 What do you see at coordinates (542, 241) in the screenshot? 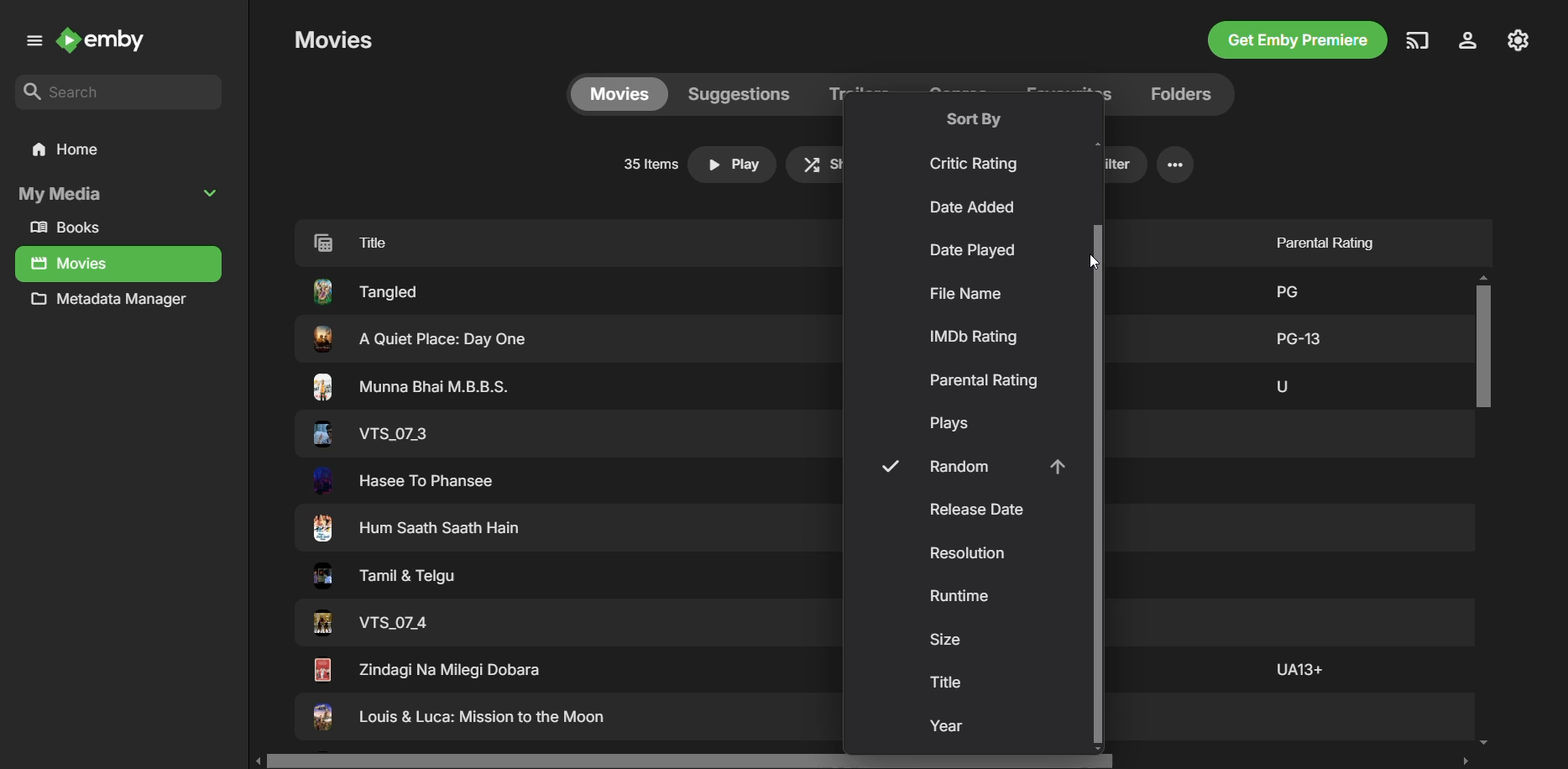
I see `Movie Titles in Random sort order` at bounding box center [542, 241].